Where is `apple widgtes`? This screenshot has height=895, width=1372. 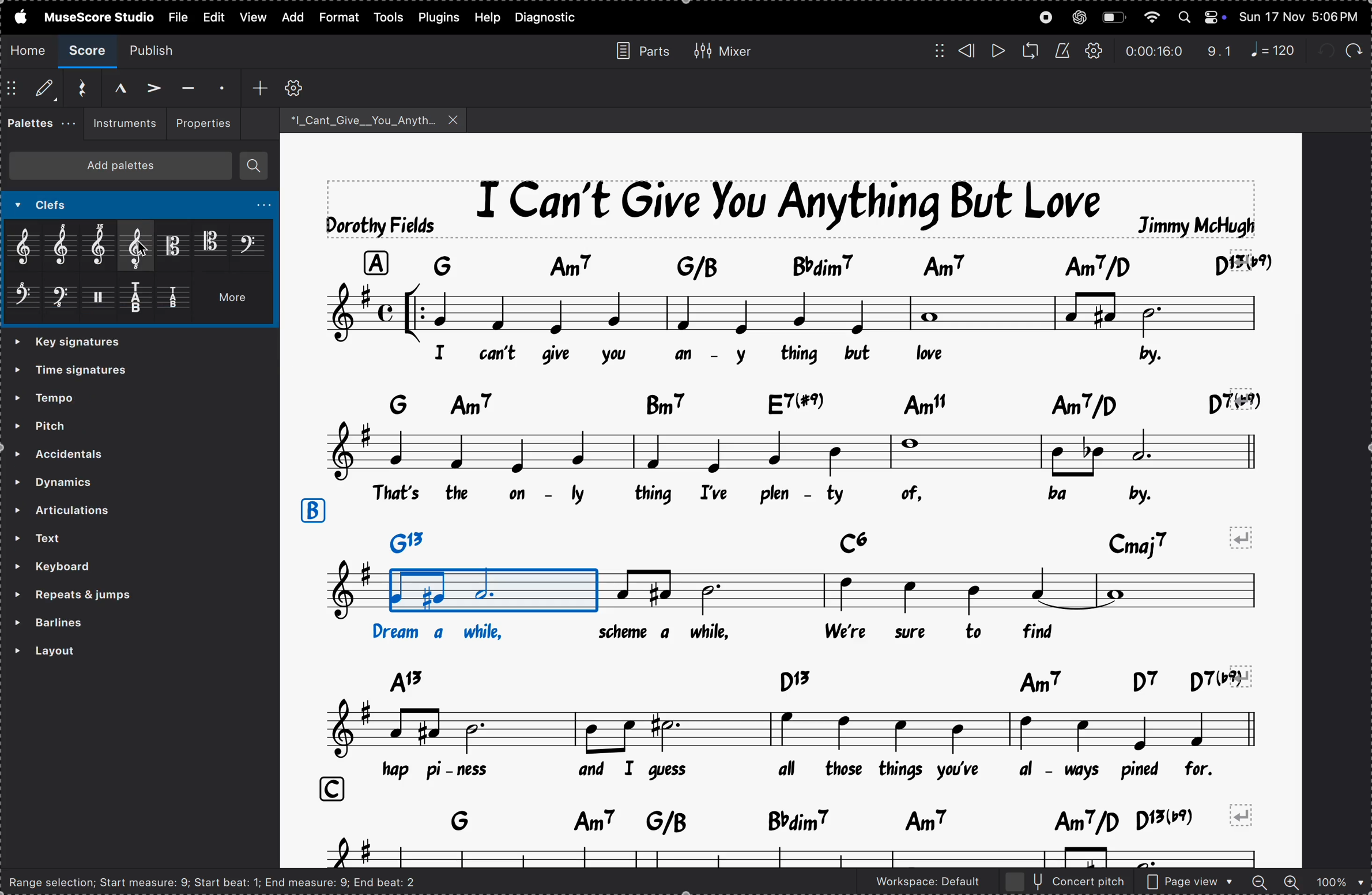
apple widgtes is located at coordinates (1203, 17).